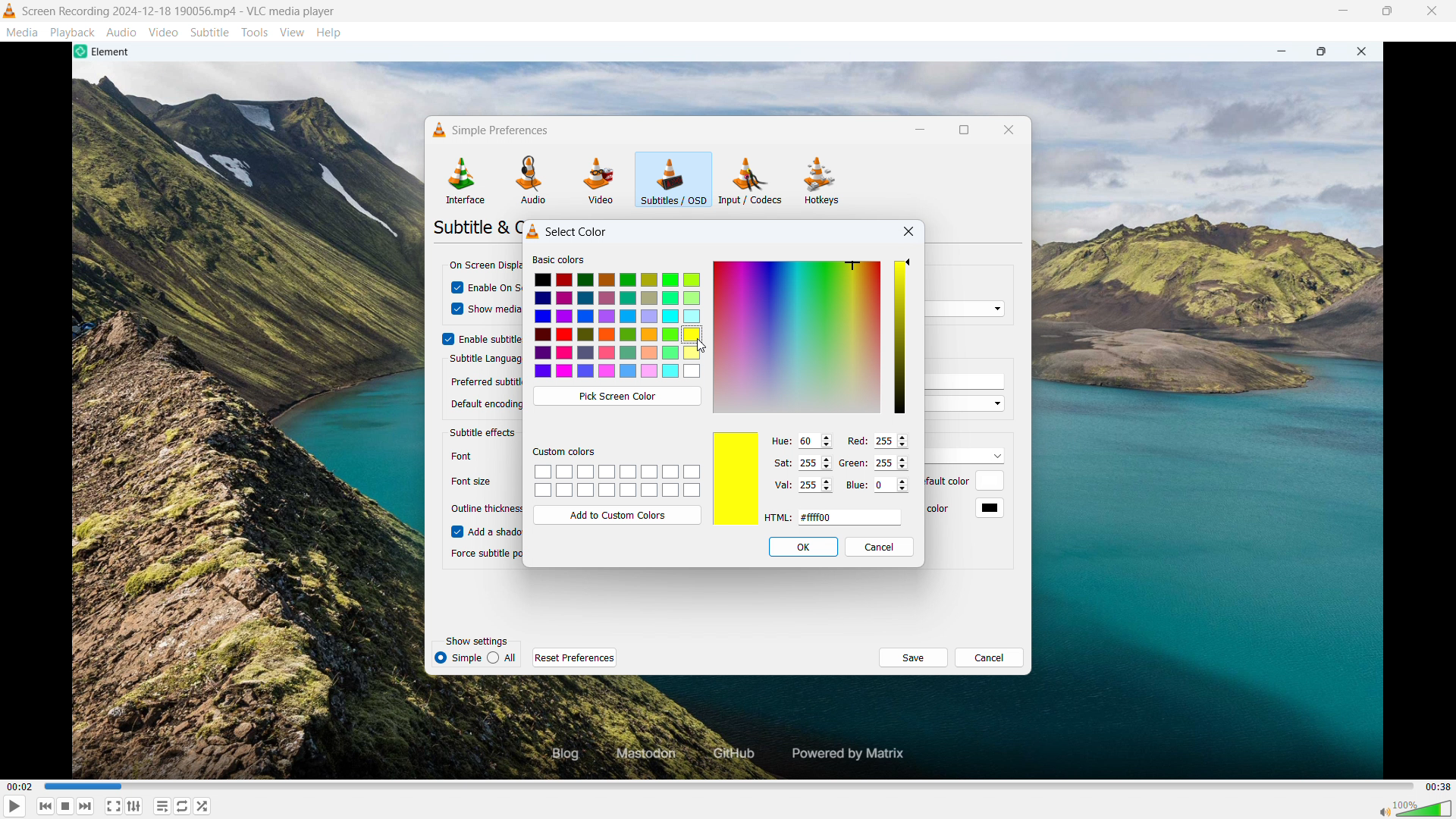 Image resolution: width=1456 pixels, height=819 pixels. I want to click on , so click(471, 479).